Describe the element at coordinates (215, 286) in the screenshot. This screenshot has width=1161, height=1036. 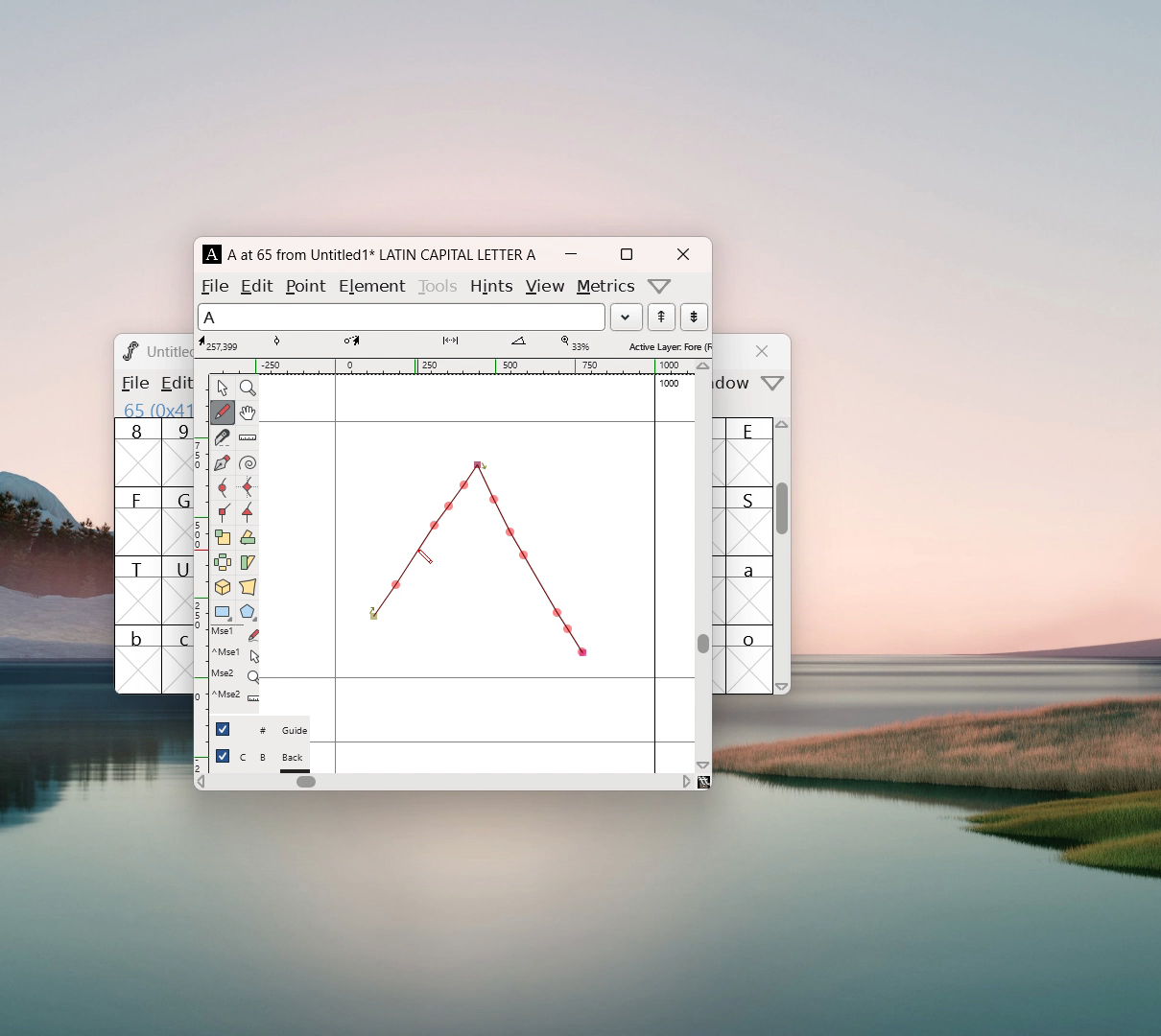
I see `file` at that location.